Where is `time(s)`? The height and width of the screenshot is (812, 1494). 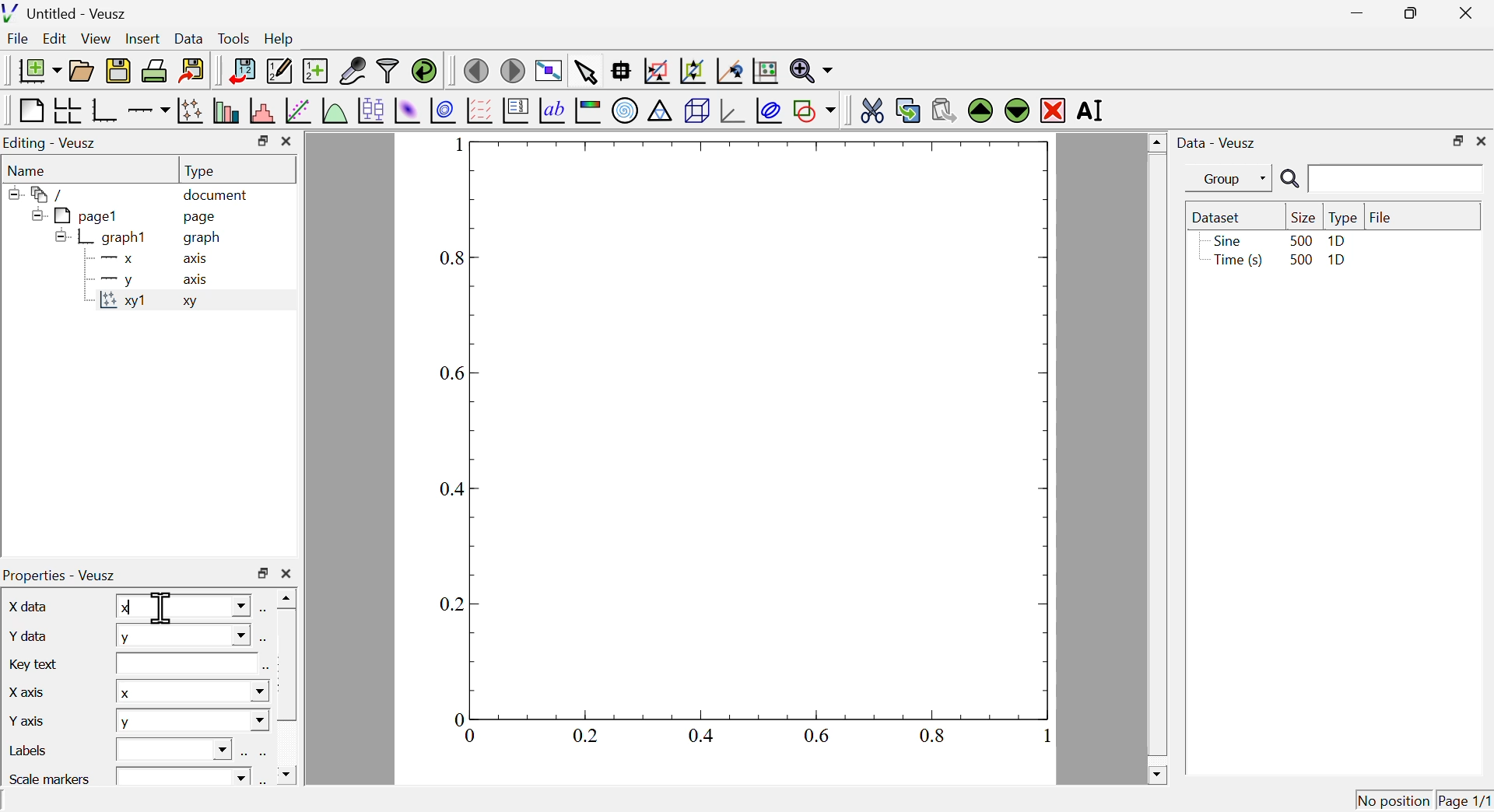 time(s) is located at coordinates (1235, 261).